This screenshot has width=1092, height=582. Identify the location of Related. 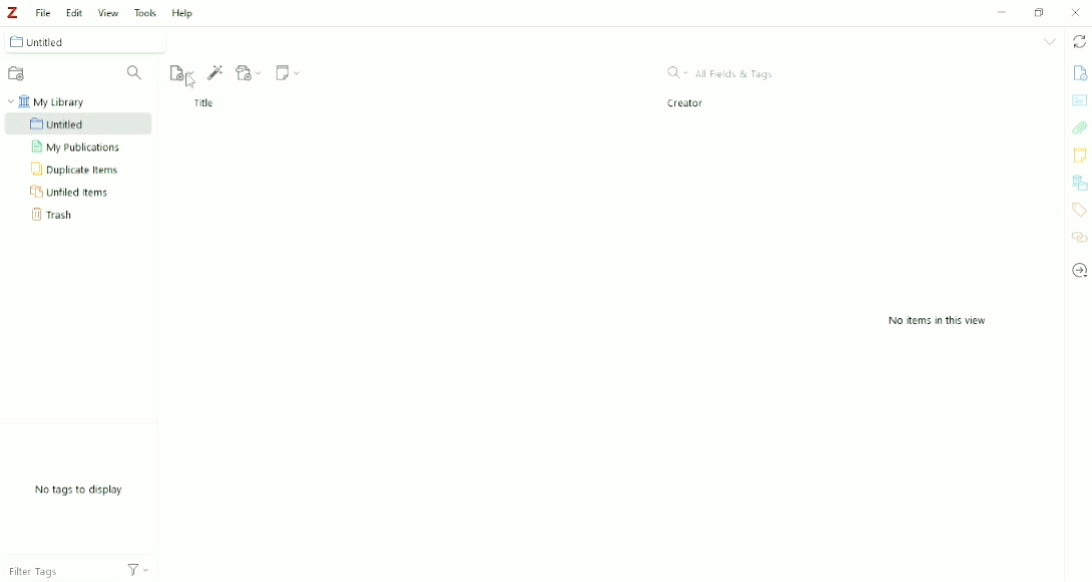
(1079, 236).